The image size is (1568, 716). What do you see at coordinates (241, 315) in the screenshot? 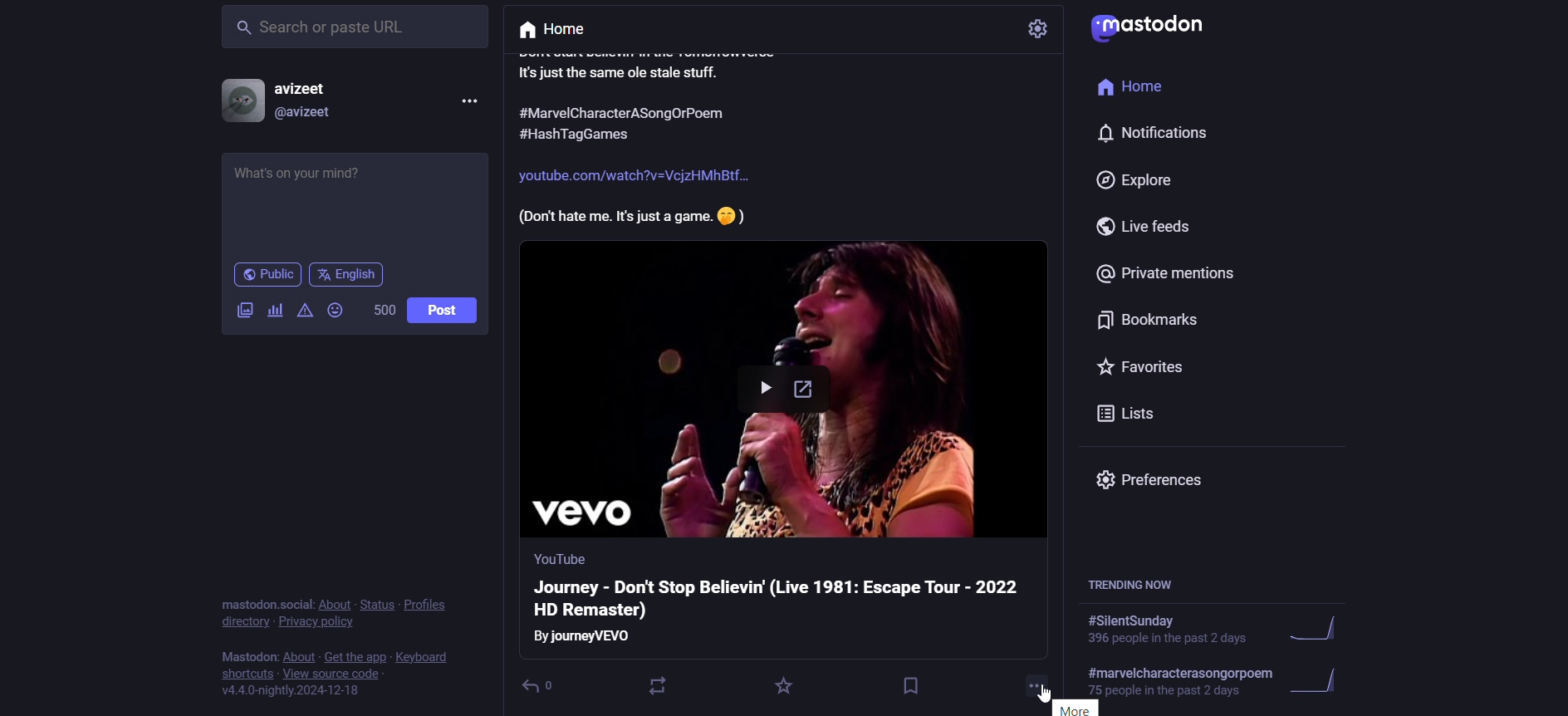
I see `add imgae` at bounding box center [241, 315].